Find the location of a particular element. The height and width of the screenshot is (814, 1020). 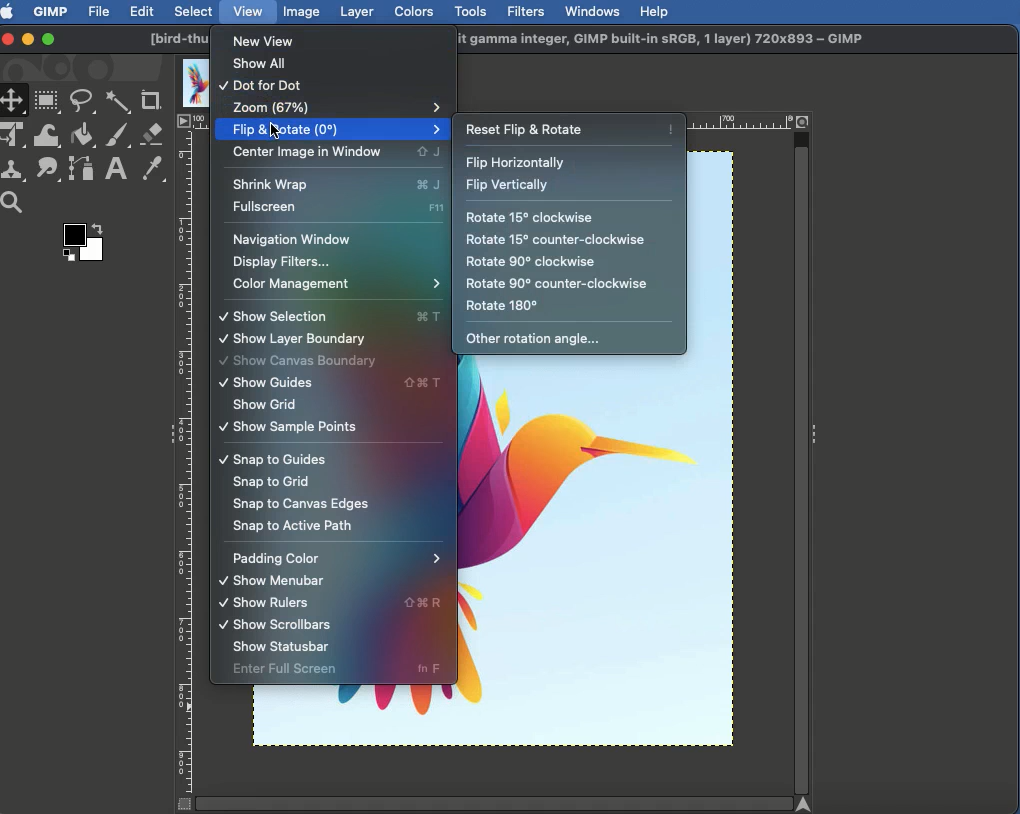

GIMP is located at coordinates (49, 11).